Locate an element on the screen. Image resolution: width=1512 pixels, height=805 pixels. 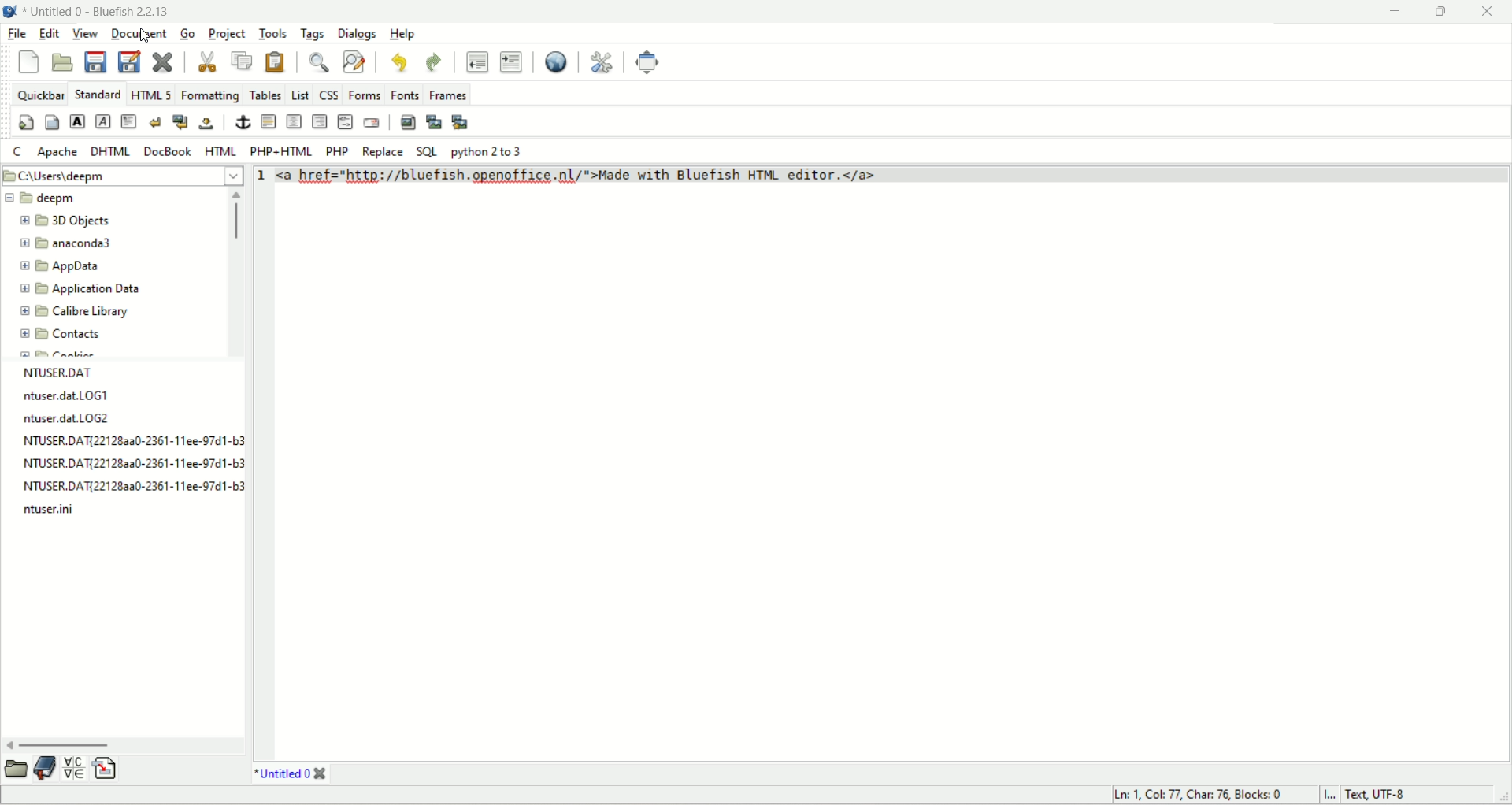
close current file is located at coordinates (160, 63).